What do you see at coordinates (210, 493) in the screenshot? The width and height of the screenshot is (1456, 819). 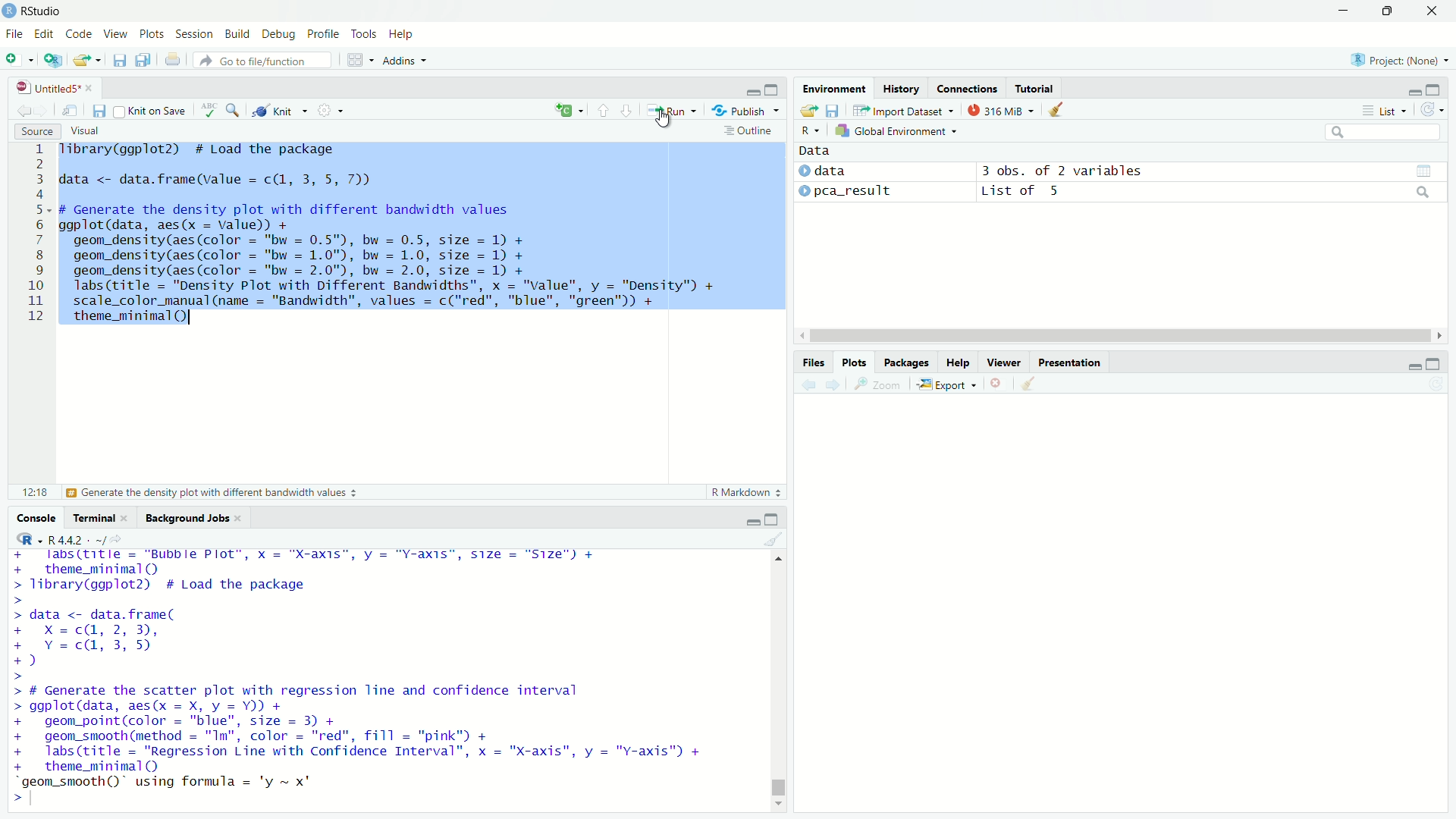 I see `Generate the density plot with different bandwidth values` at bounding box center [210, 493].